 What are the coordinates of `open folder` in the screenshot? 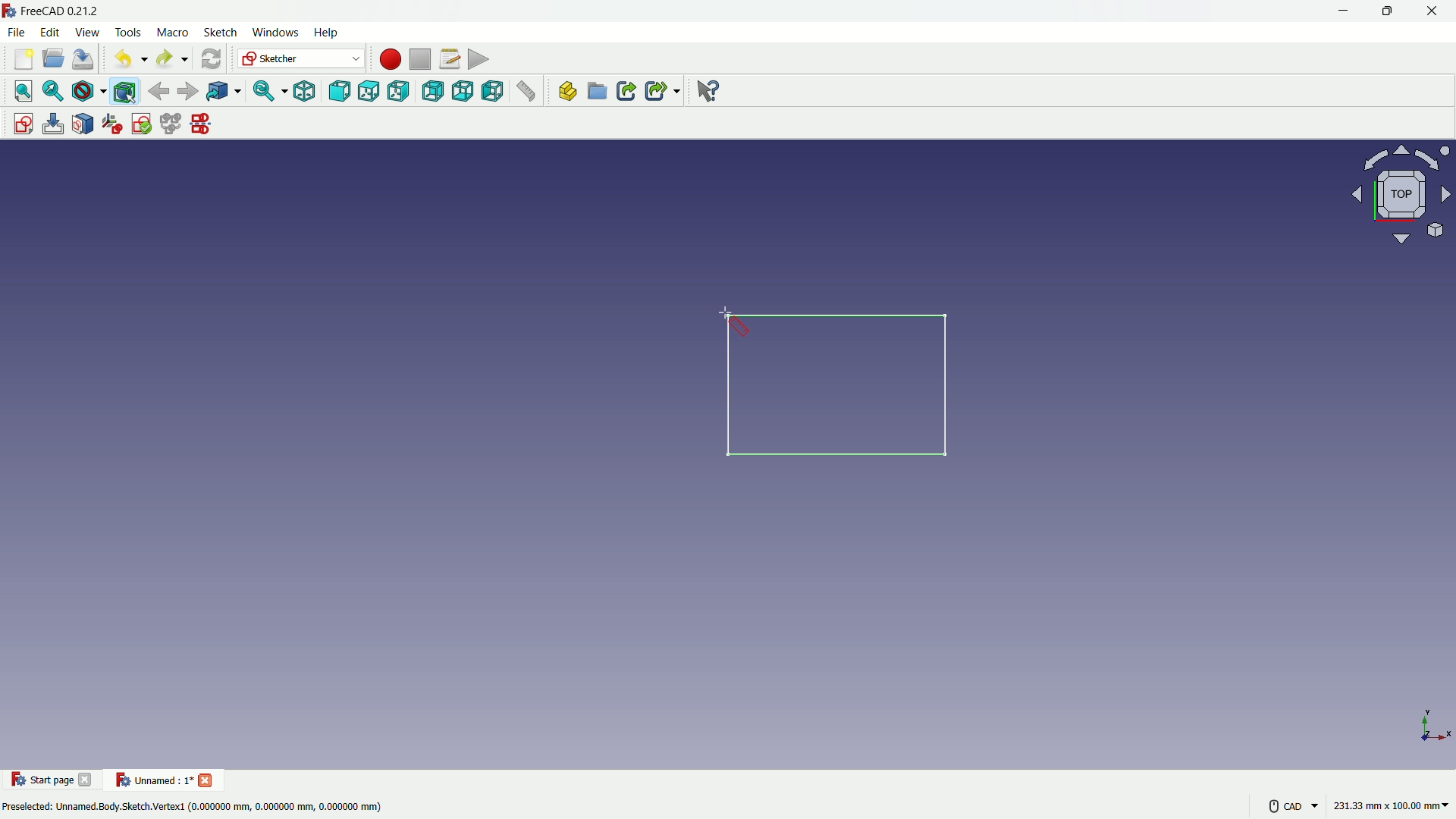 It's located at (52, 60).